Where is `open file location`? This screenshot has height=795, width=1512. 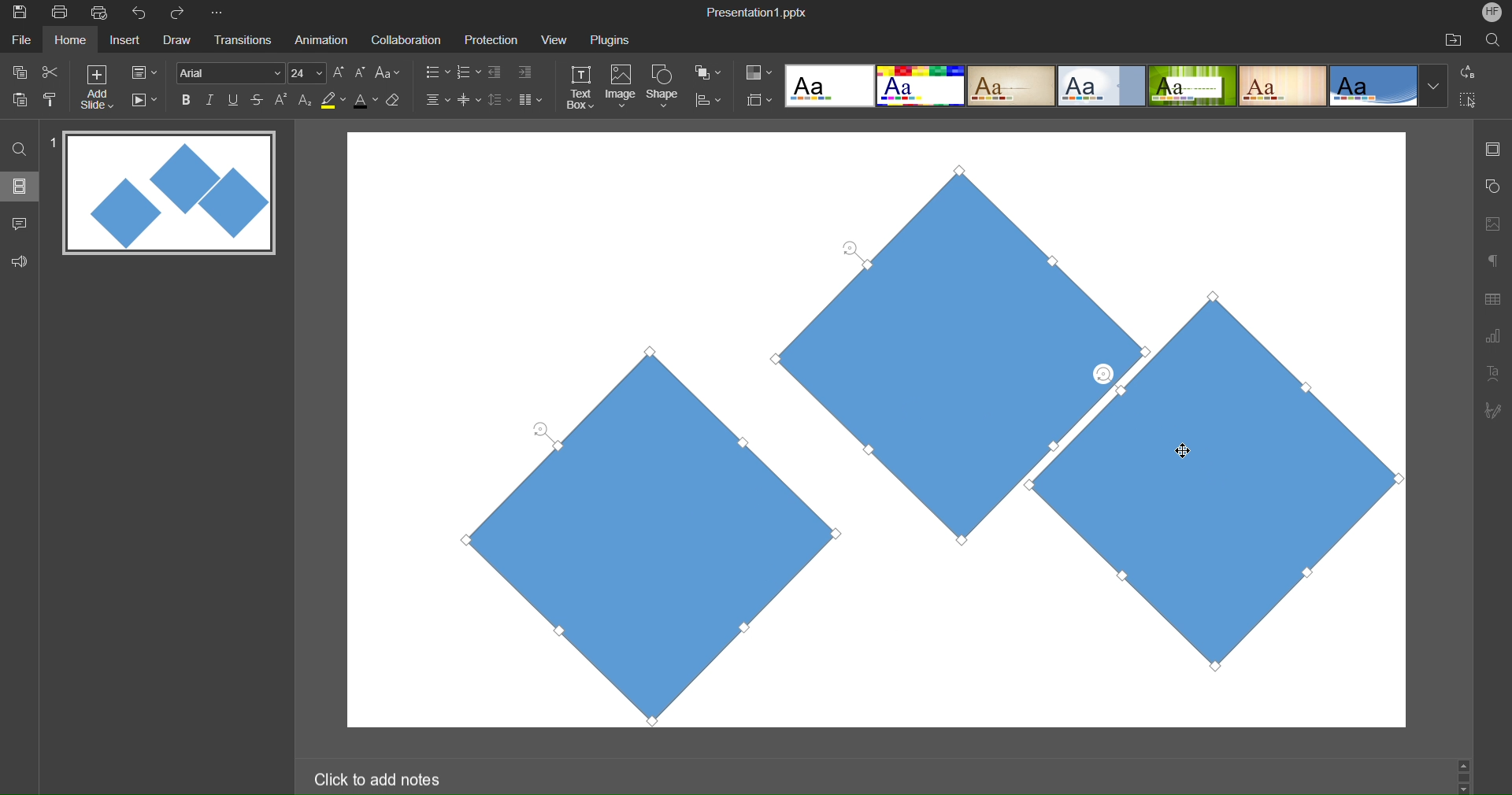 open file location is located at coordinates (1453, 39).